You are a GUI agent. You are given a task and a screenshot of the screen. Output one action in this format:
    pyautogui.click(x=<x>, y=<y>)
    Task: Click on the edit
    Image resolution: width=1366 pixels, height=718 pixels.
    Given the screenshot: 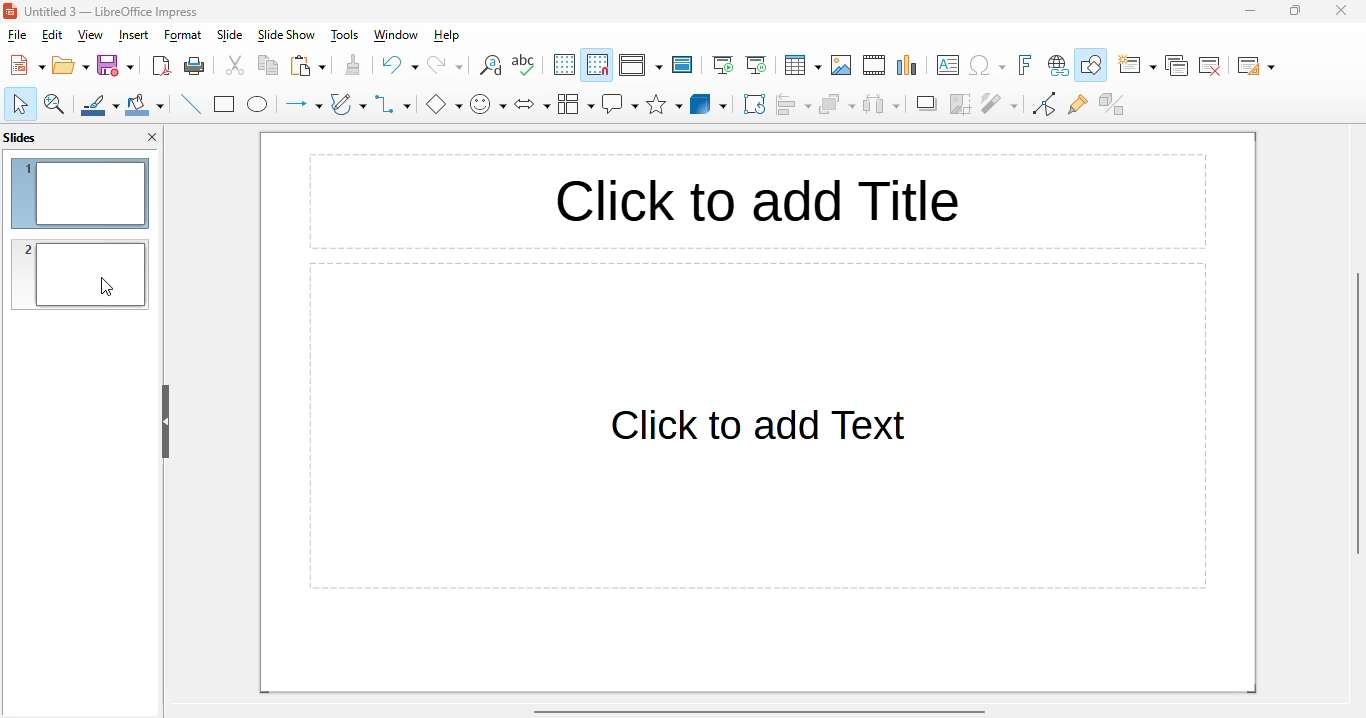 What is the action you would take?
    pyautogui.click(x=51, y=35)
    